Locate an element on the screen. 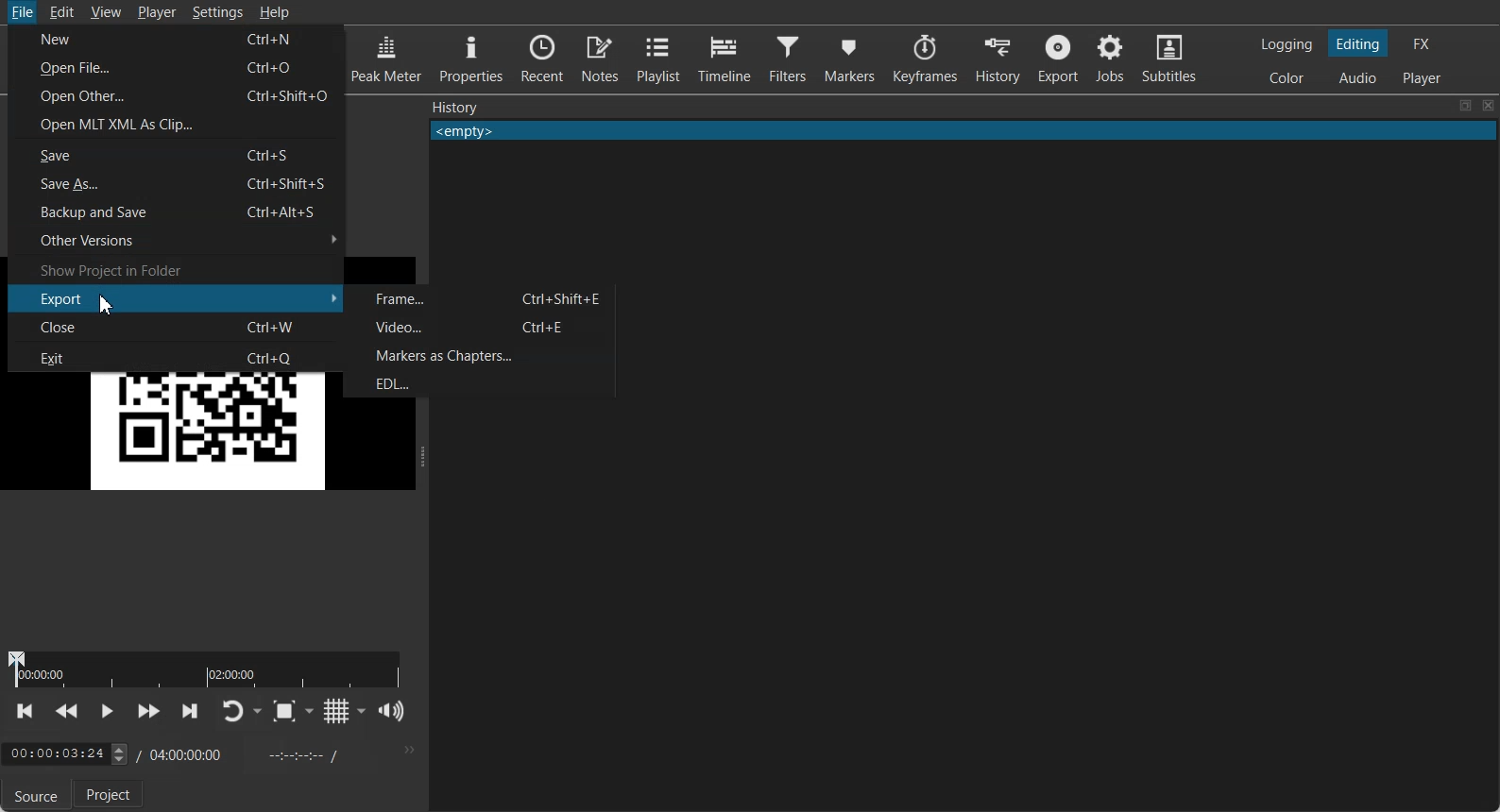 The width and height of the screenshot is (1500, 812). Time is located at coordinates (188, 753).